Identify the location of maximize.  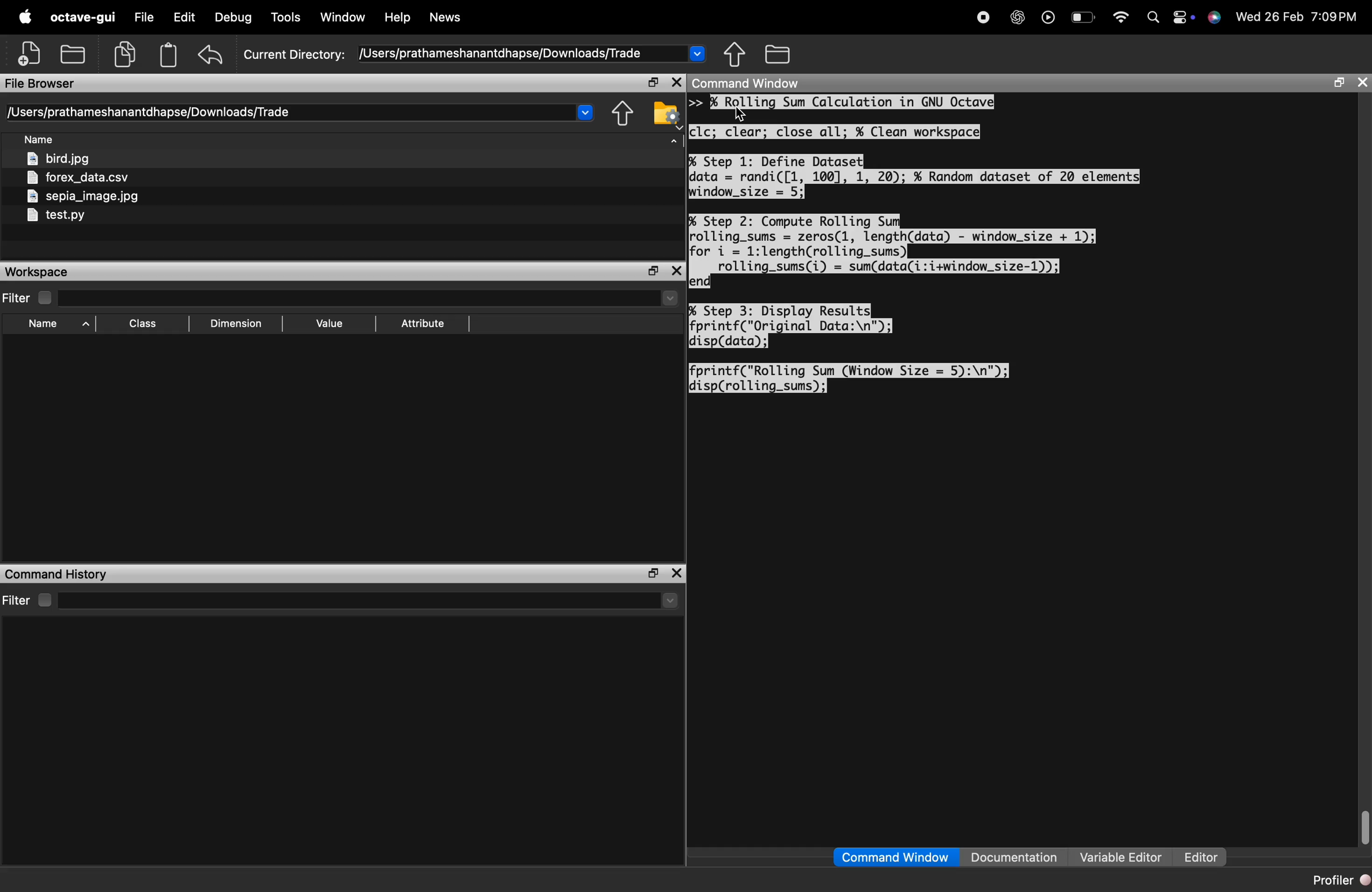
(653, 271).